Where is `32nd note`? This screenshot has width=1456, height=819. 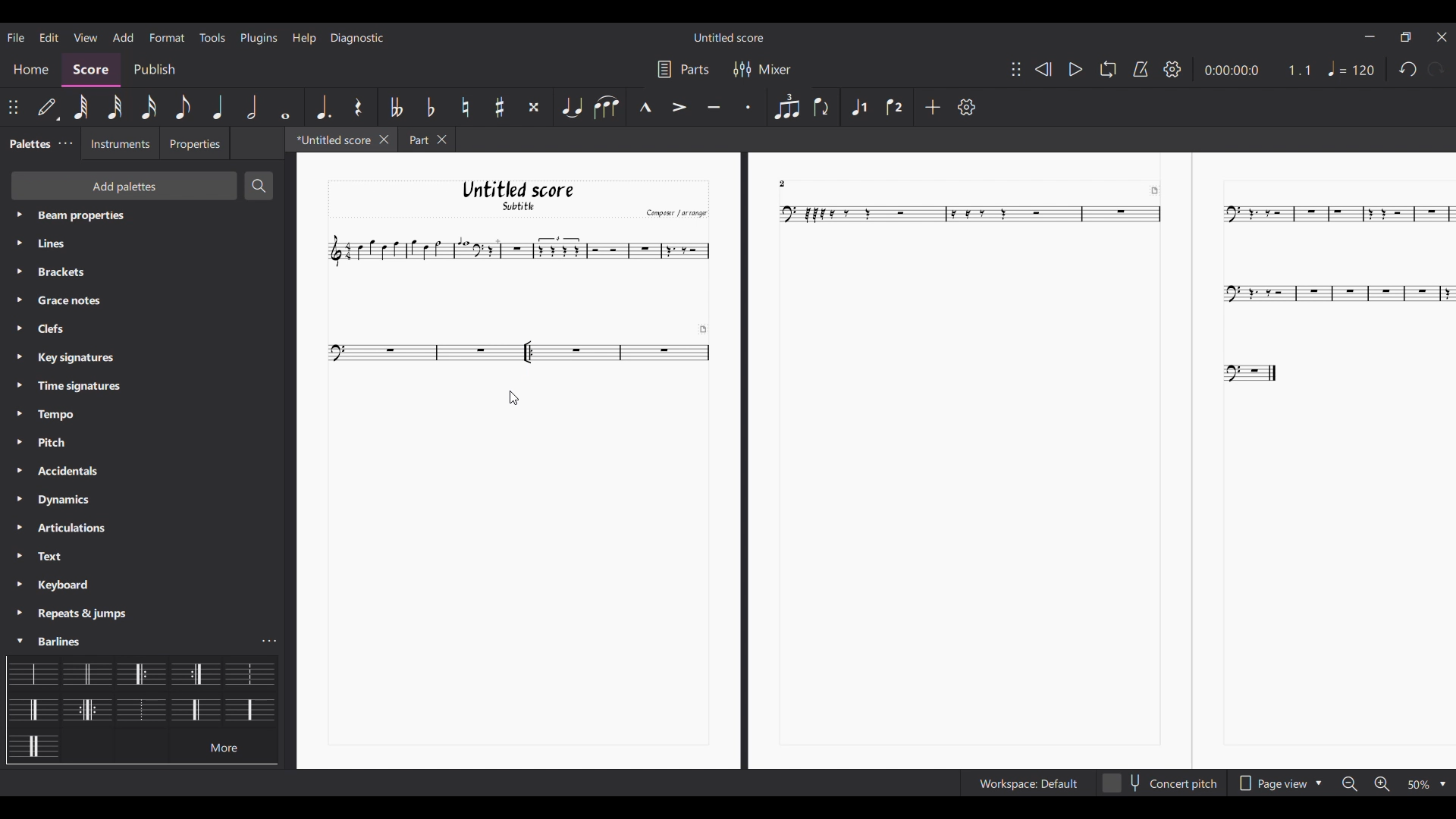 32nd note is located at coordinates (115, 107).